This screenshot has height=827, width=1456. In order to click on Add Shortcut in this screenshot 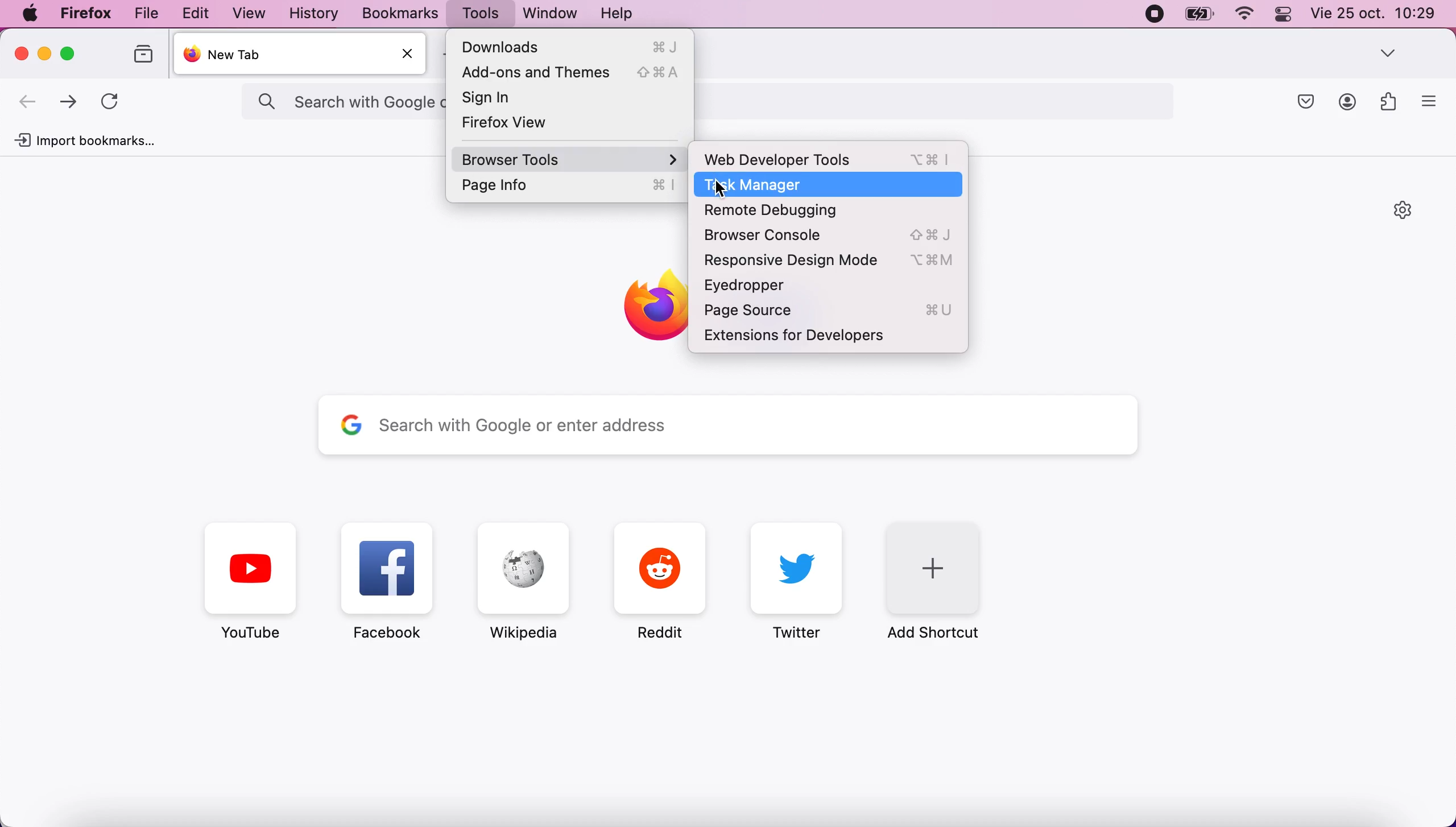, I will do `click(941, 581)`.